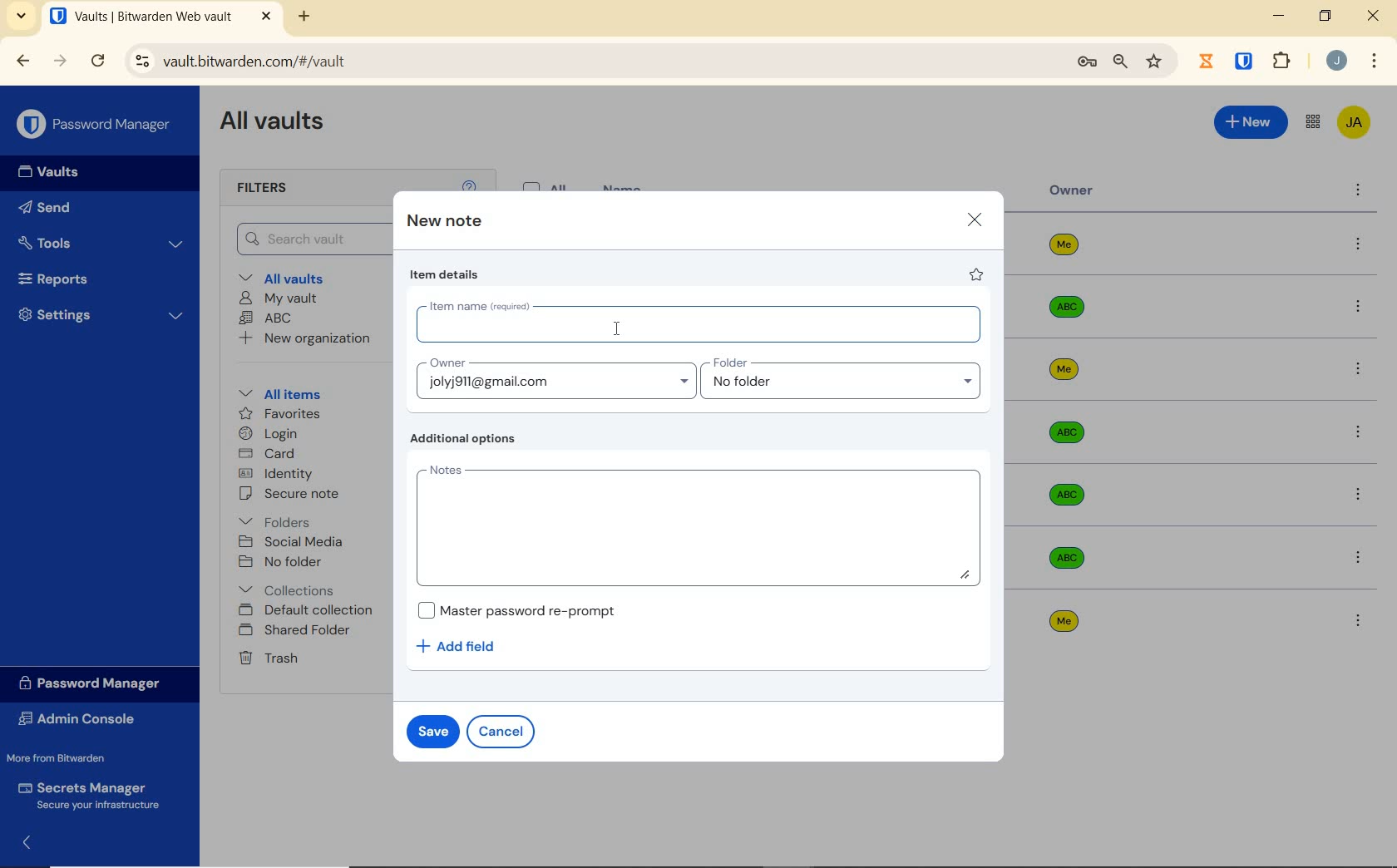 The width and height of the screenshot is (1397, 868). Describe the element at coordinates (697, 324) in the screenshot. I see `Input item name` at that location.